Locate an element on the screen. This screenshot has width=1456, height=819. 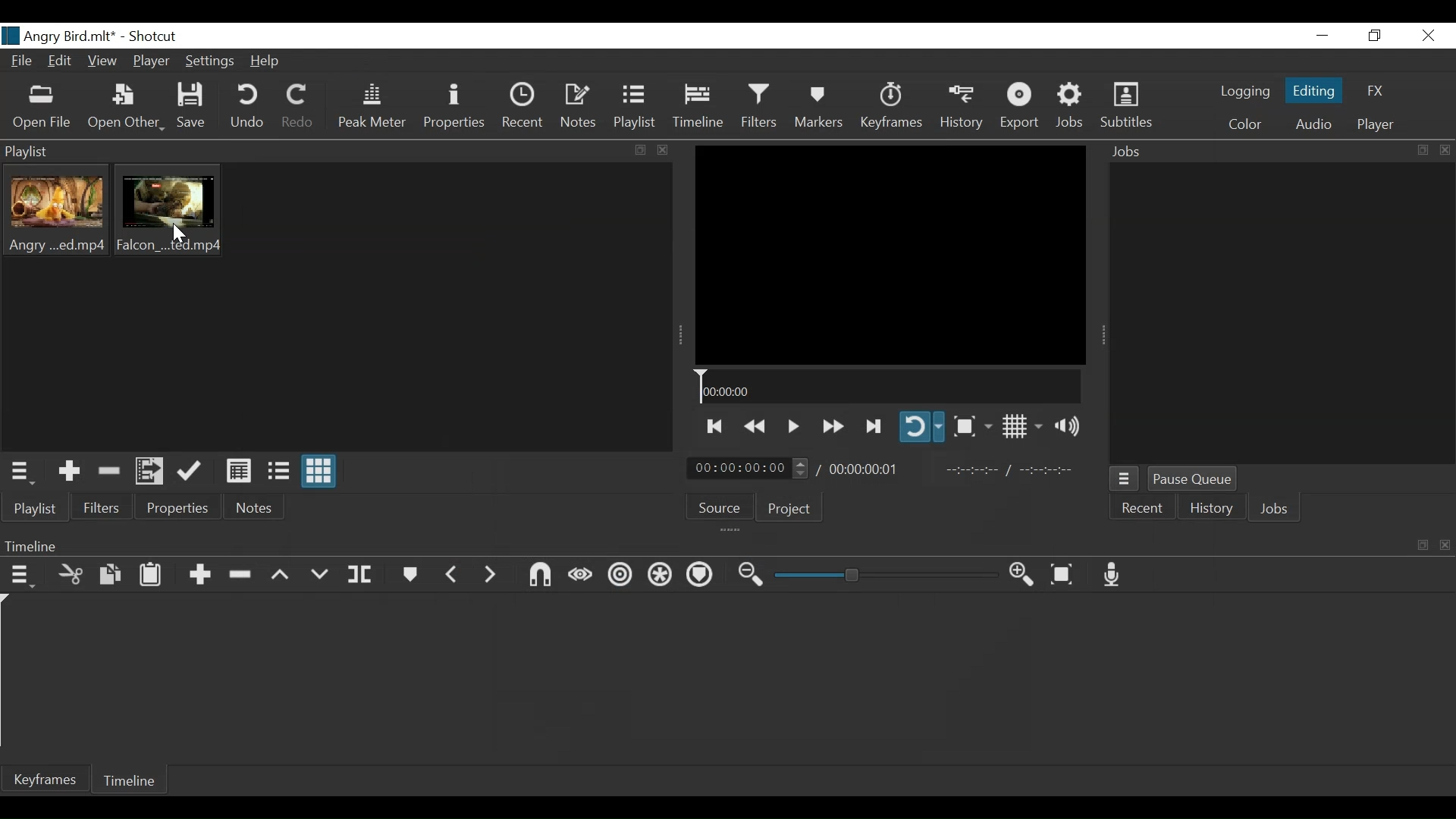
Filters is located at coordinates (761, 105).